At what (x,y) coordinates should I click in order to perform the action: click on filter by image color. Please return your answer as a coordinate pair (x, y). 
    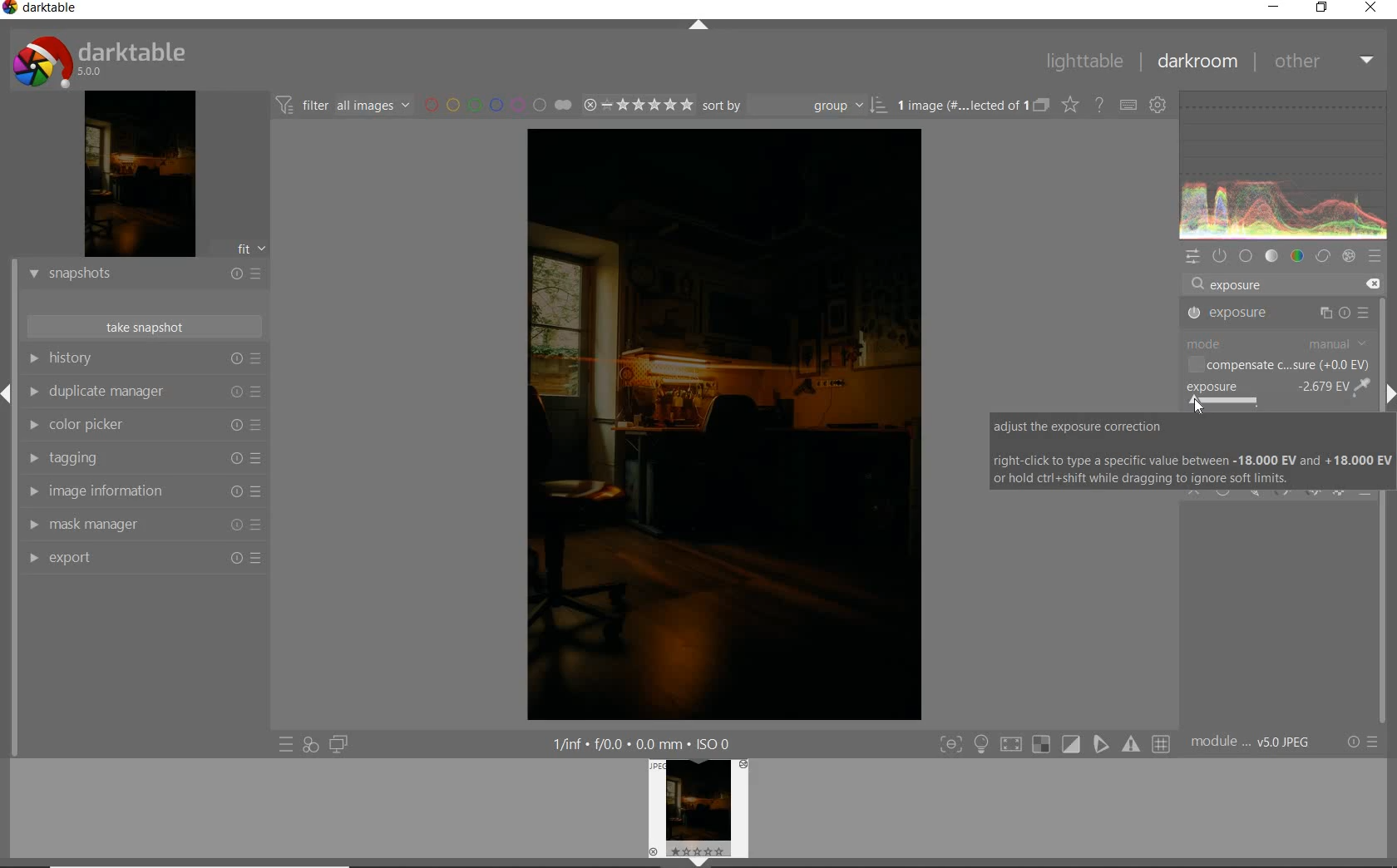
    Looking at the image, I should click on (497, 106).